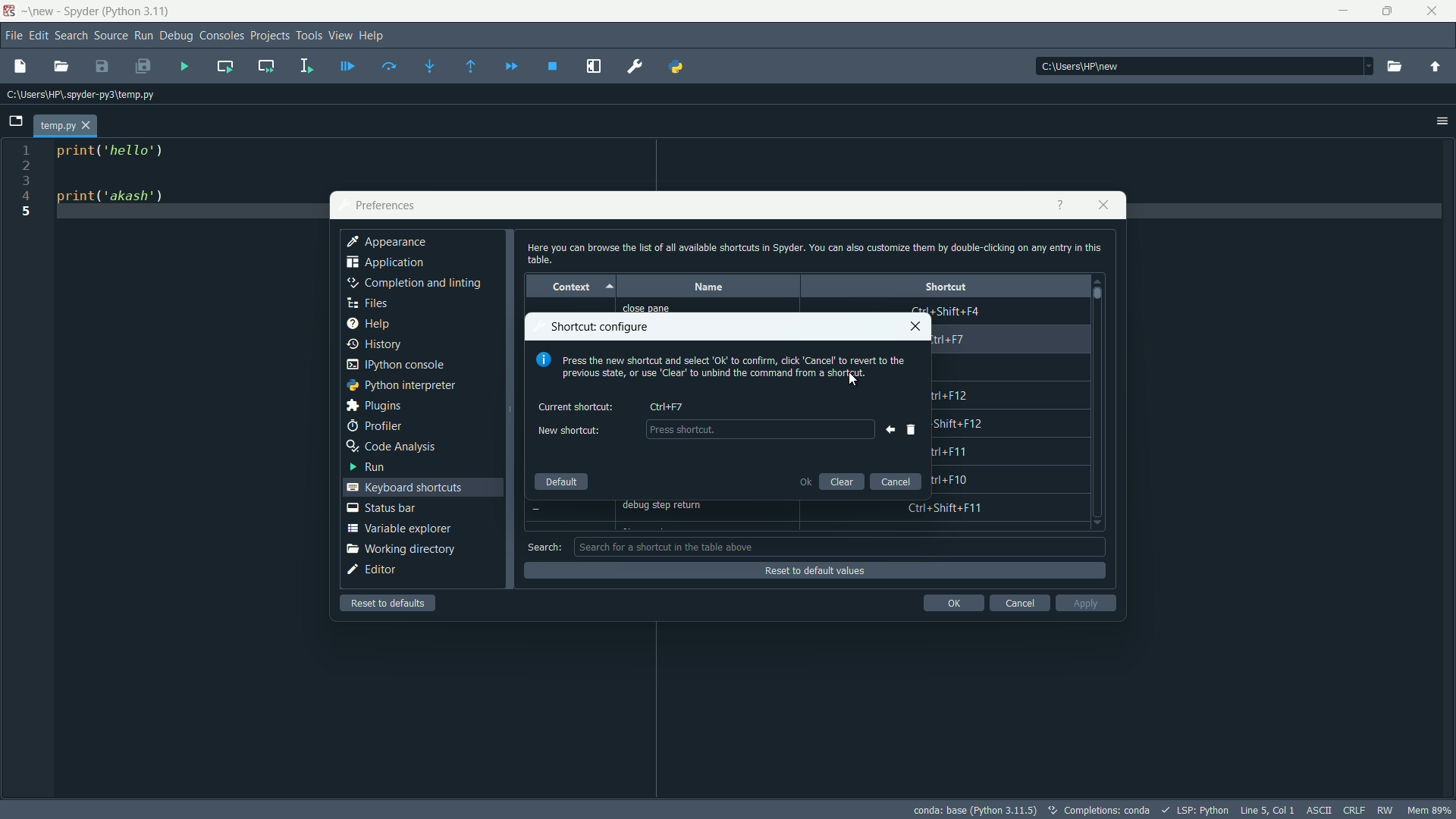 This screenshot has height=819, width=1456. What do you see at coordinates (39, 36) in the screenshot?
I see `edit menu` at bounding box center [39, 36].